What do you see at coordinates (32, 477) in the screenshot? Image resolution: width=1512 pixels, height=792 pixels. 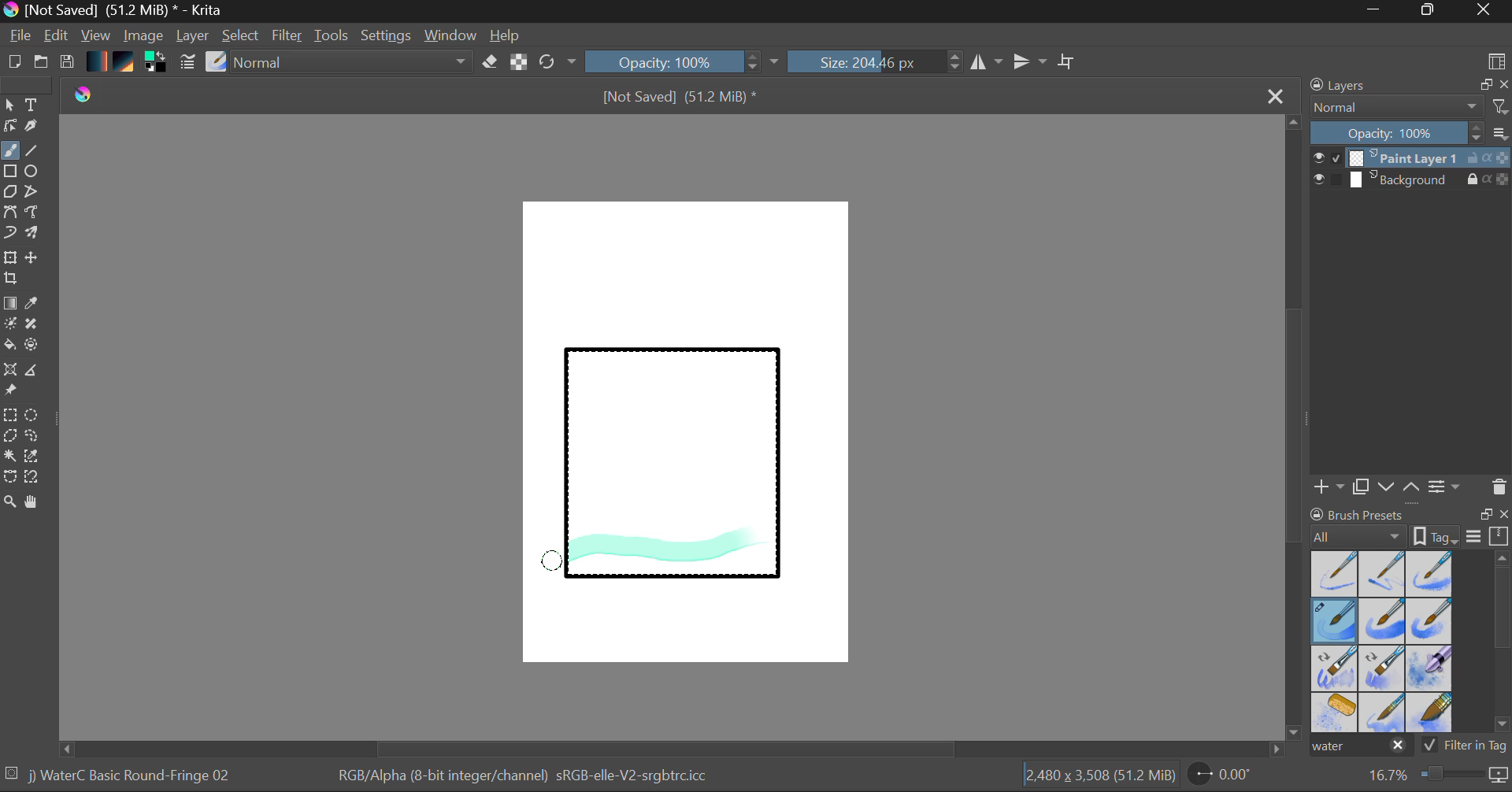 I see `Magnetic Selection Tool` at bounding box center [32, 477].